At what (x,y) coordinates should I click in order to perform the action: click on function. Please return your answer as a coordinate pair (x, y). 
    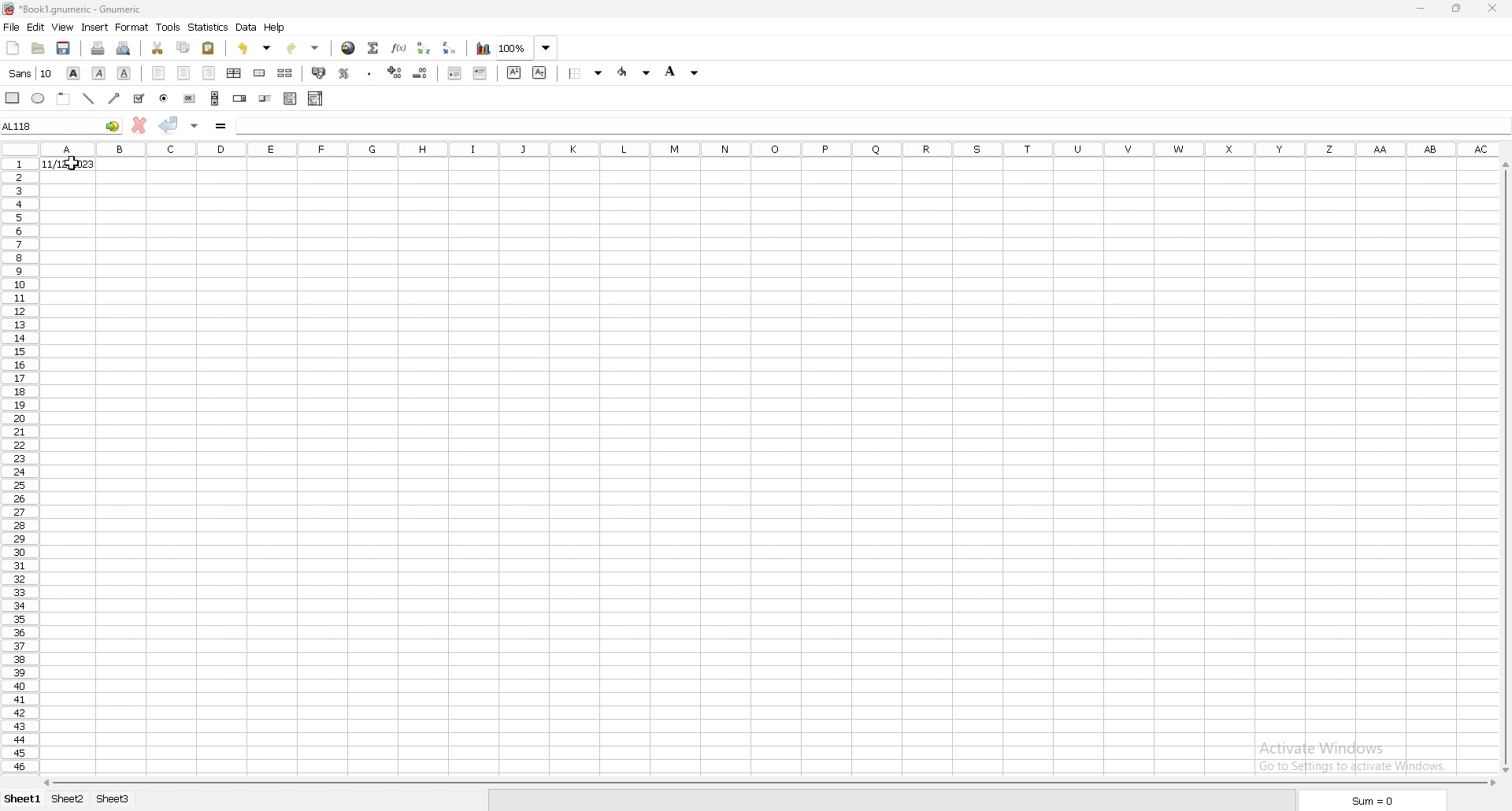
    Looking at the image, I should click on (399, 48).